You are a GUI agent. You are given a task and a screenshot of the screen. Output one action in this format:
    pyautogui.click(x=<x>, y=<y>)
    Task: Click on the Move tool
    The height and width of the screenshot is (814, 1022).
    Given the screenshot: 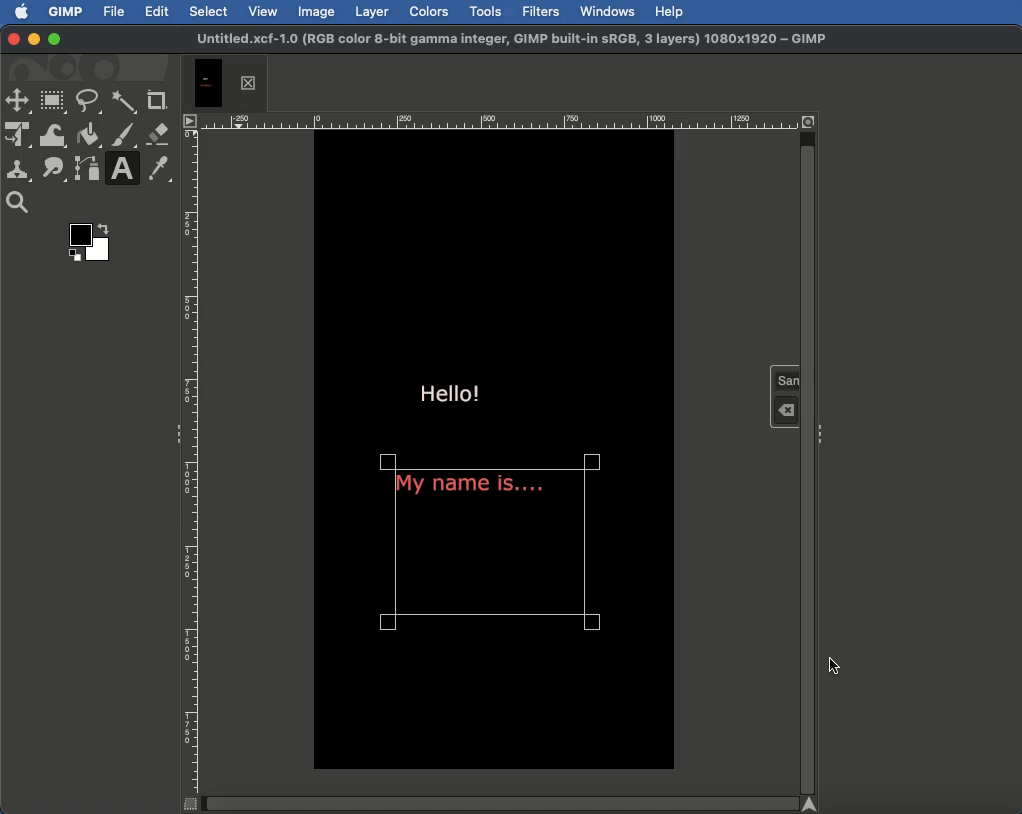 What is the action you would take?
    pyautogui.click(x=18, y=102)
    